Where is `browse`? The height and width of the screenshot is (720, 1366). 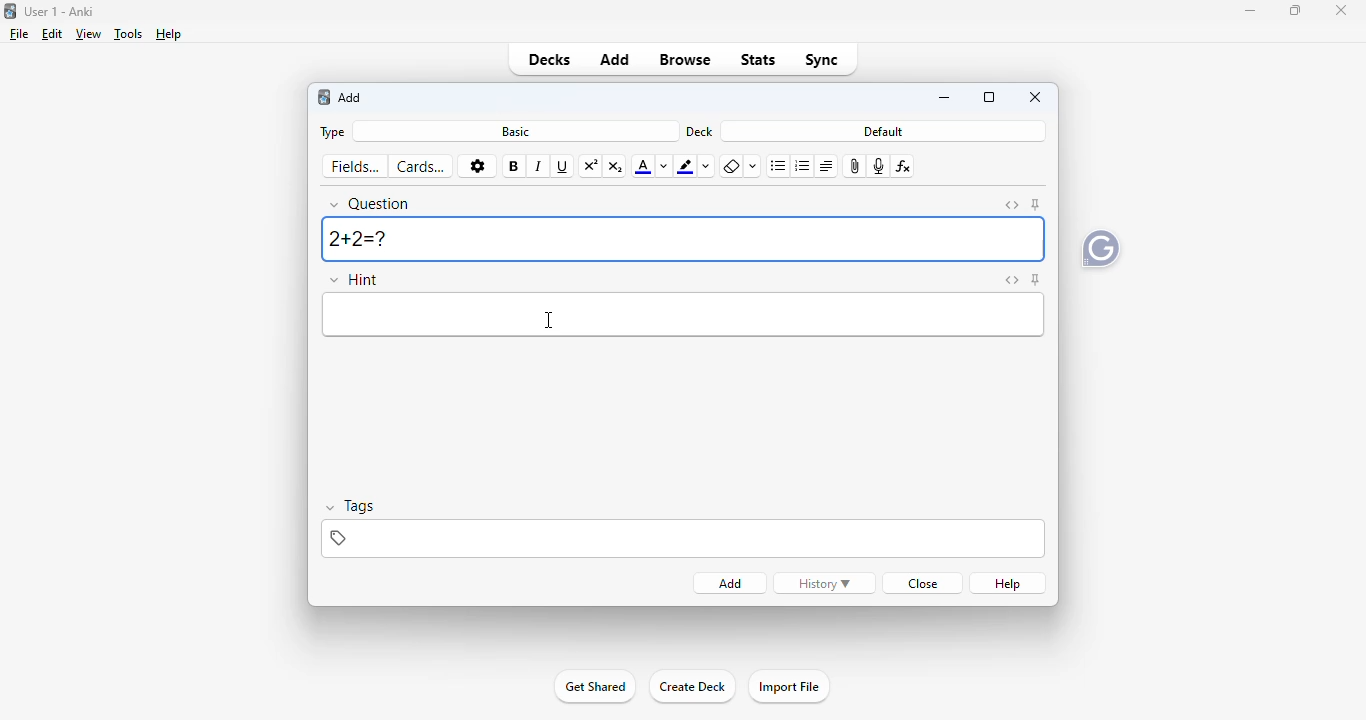
browse is located at coordinates (685, 60).